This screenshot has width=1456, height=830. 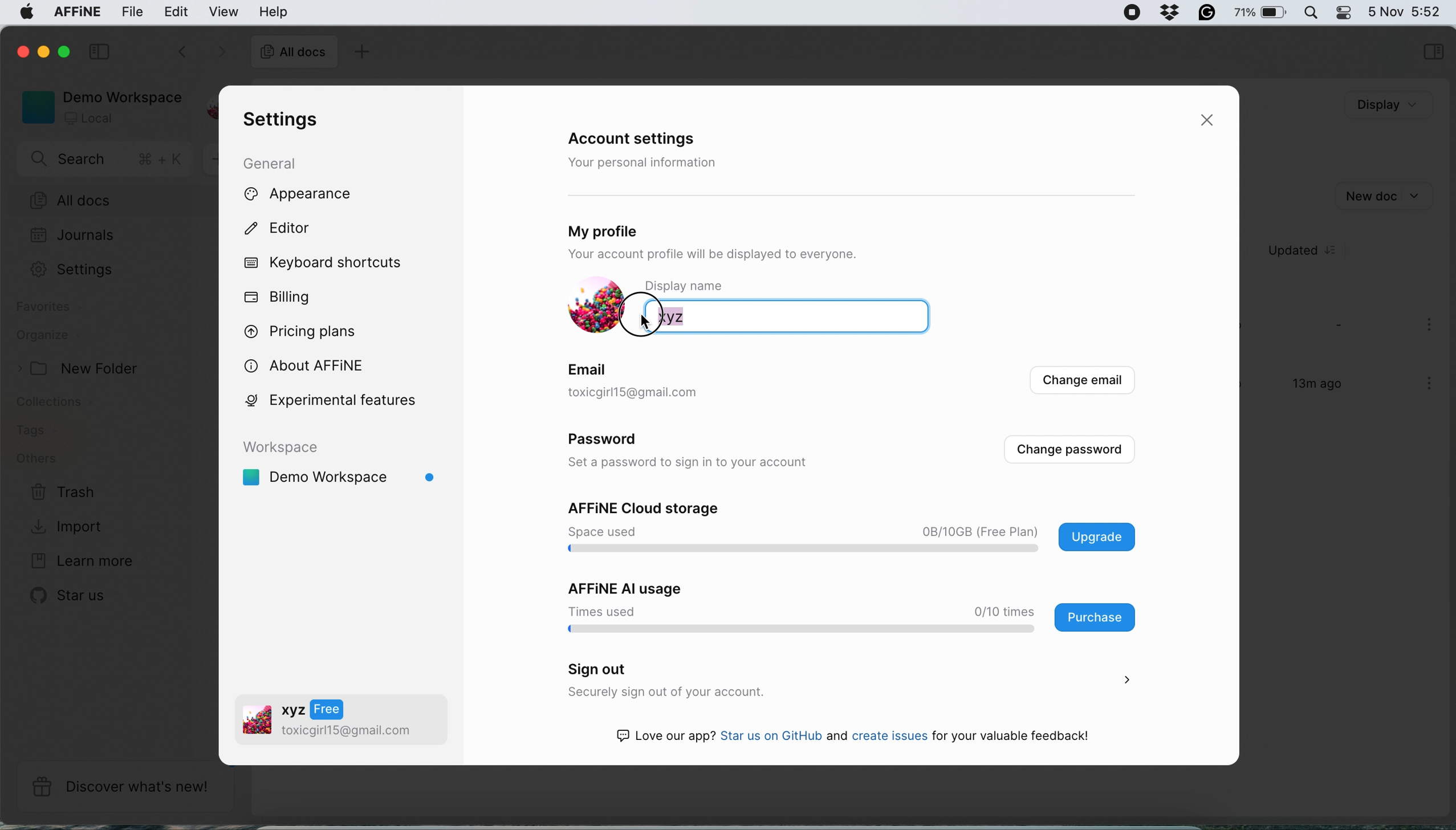 What do you see at coordinates (345, 400) in the screenshot?
I see `experimental features` at bounding box center [345, 400].